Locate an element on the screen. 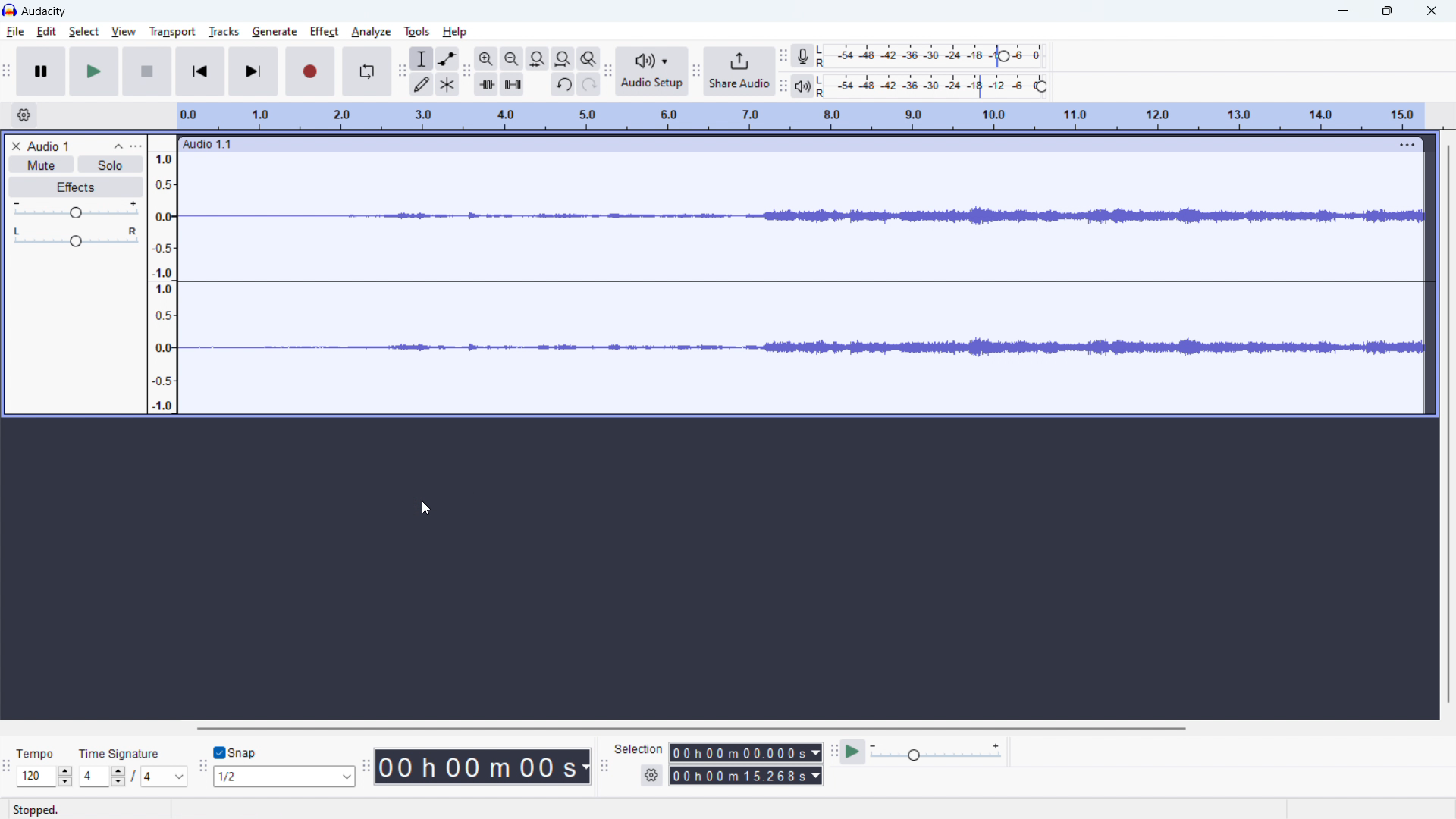 The height and width of the screenshot is (819, 1456). Wave size bar is located at coordinates (163, 278).